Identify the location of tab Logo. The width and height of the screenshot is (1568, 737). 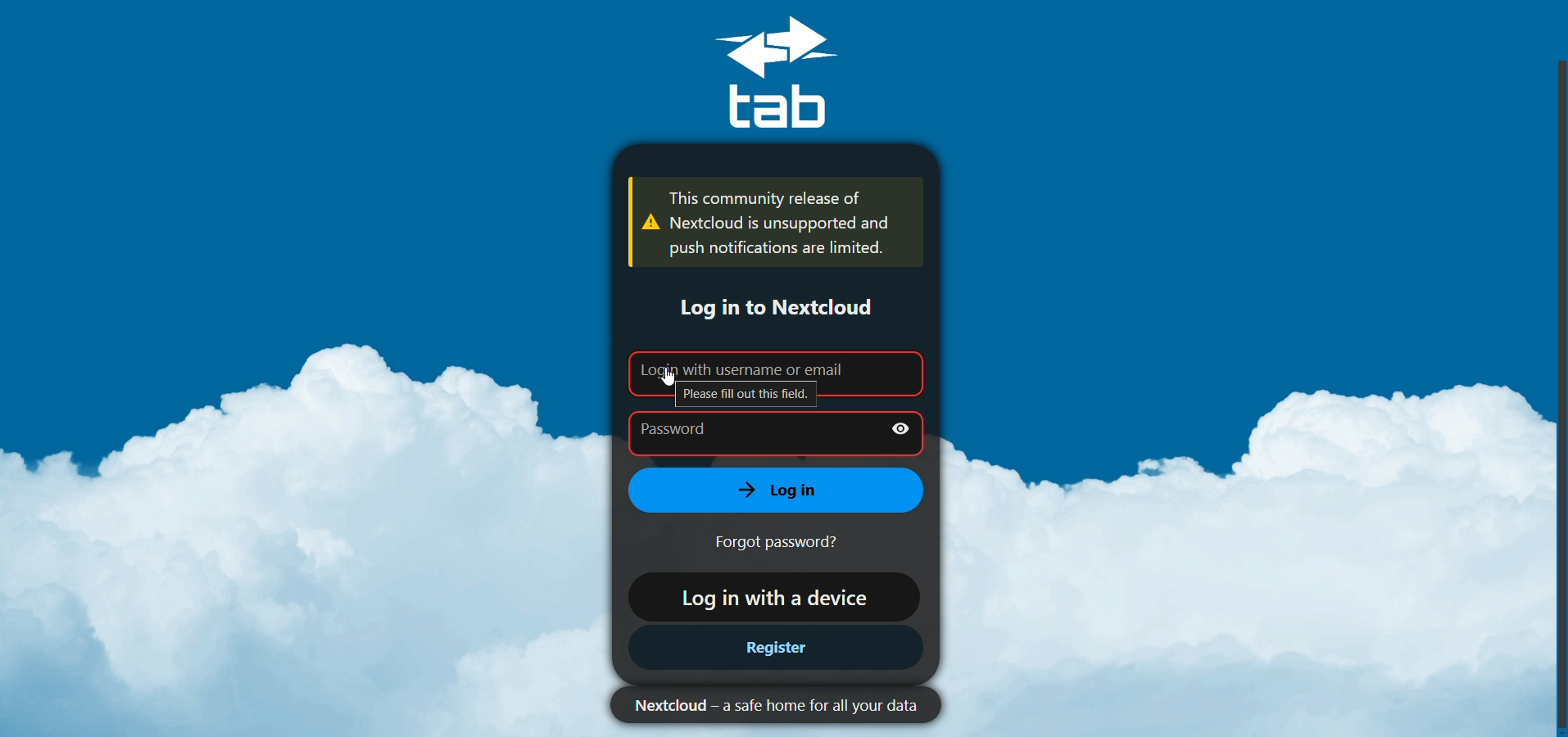
(795, 73).